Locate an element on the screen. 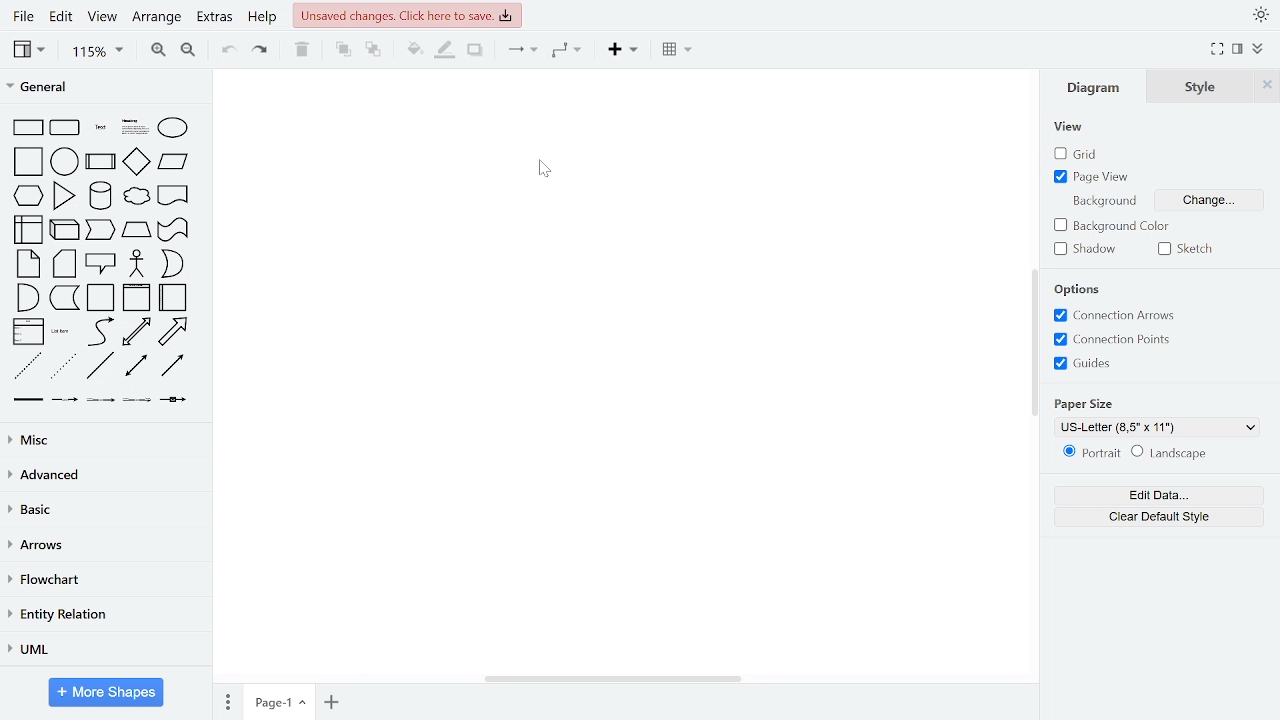 The height and width of the screenshot is (720, 1280). document is located at coordinates (174, 195).